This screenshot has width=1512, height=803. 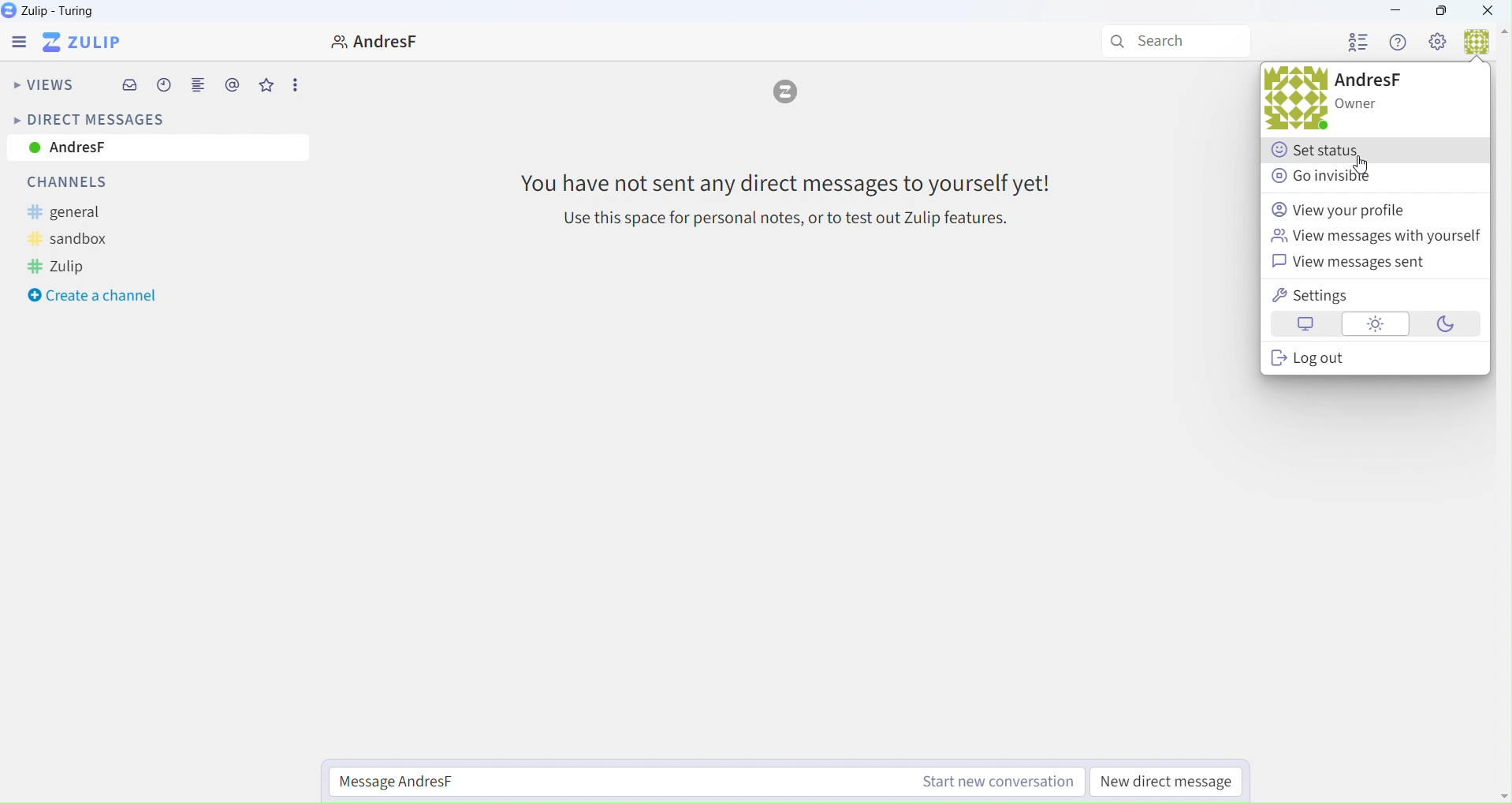 I want to click on Zulip, so click(x=87, y=43).